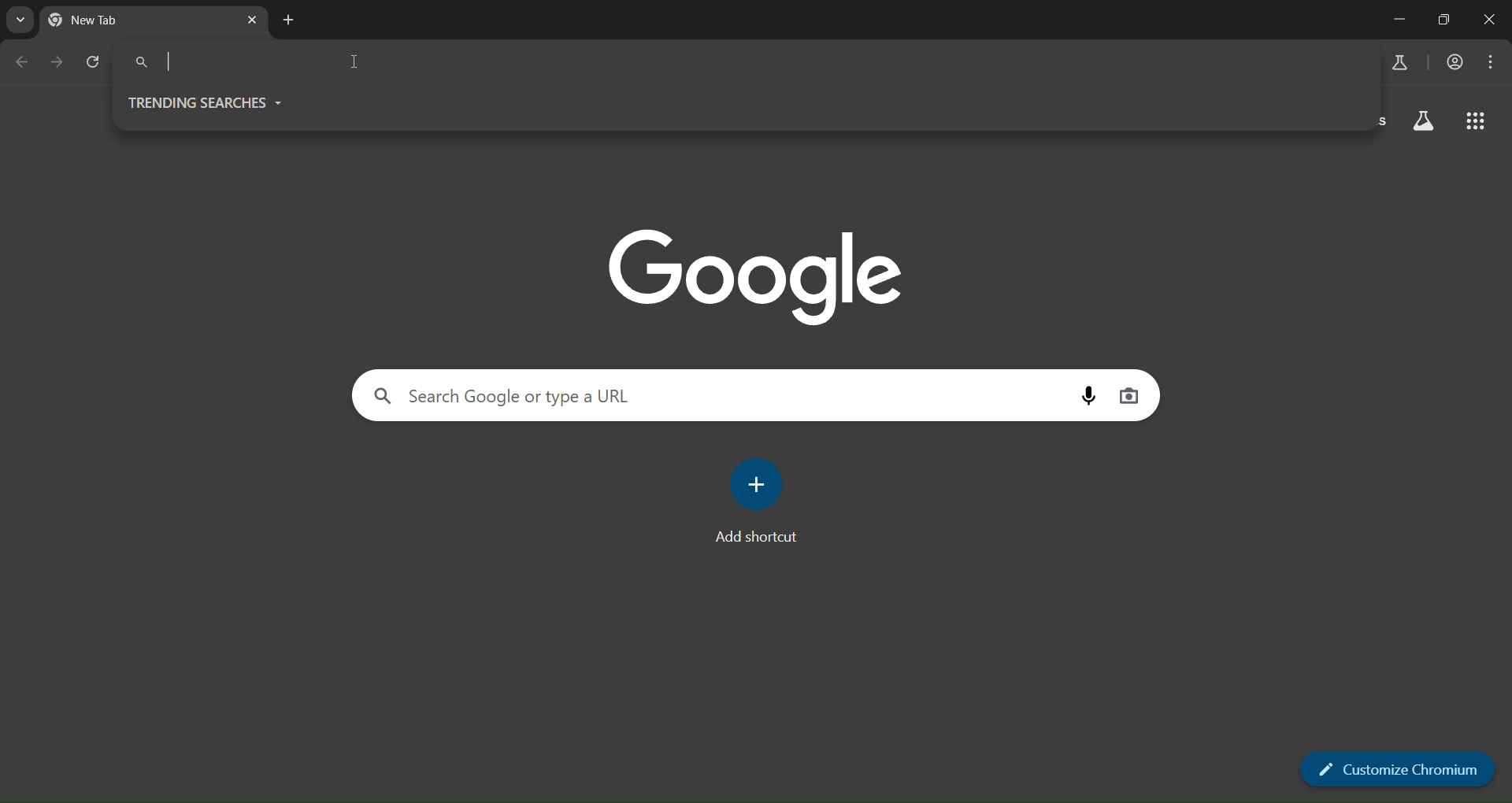 The height and width of the screenshot is (803, 1512). I want to click on trending searches, so click(212, 102).